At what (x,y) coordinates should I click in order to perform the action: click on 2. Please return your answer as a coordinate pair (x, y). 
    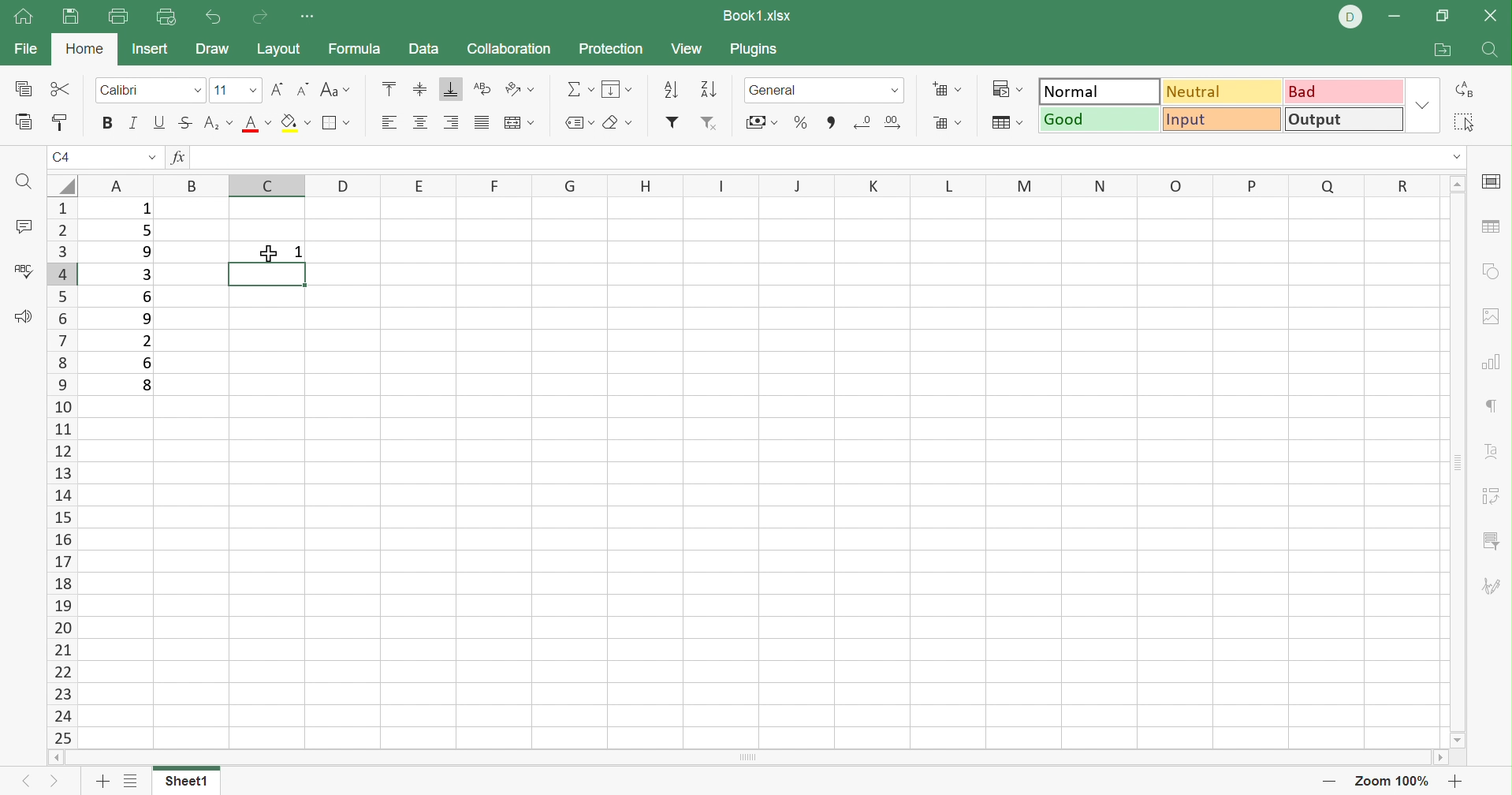
    Looking at the image, I should click on (147, 341).